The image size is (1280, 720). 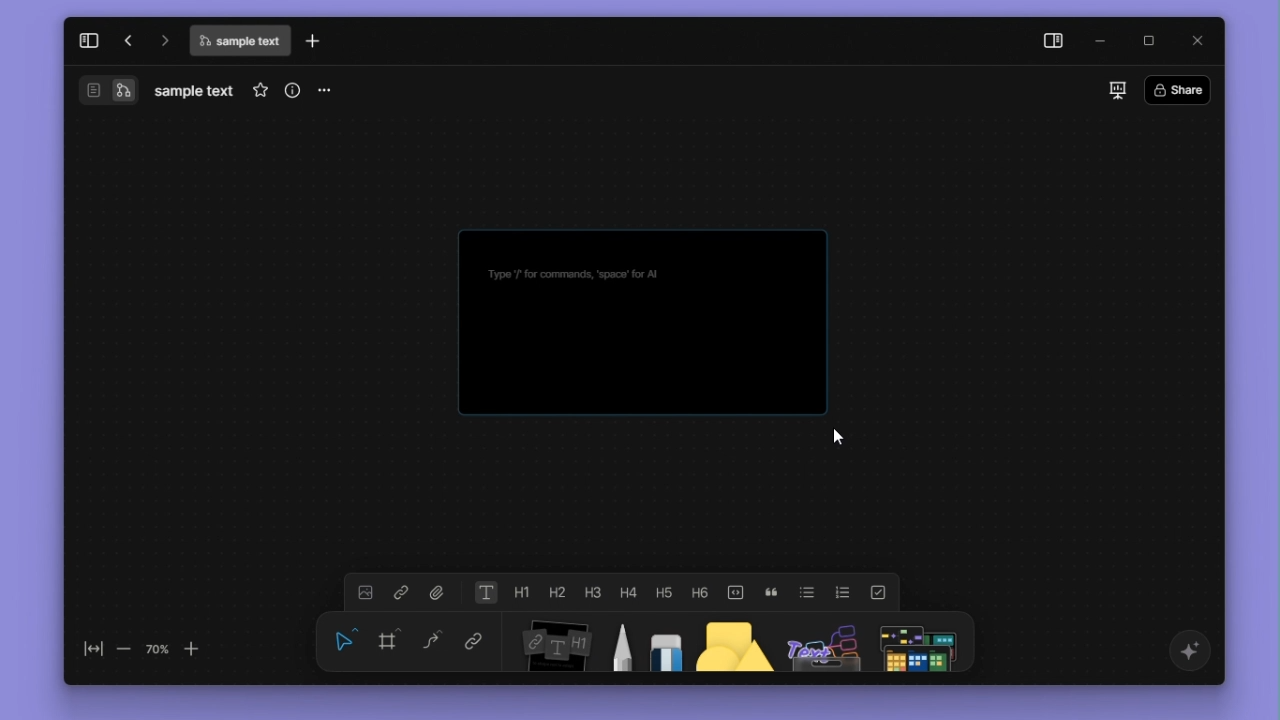 What do you see at coordinates (317, 41) in the screenshot?
I see `new tab` at bounding box center [317, 41].